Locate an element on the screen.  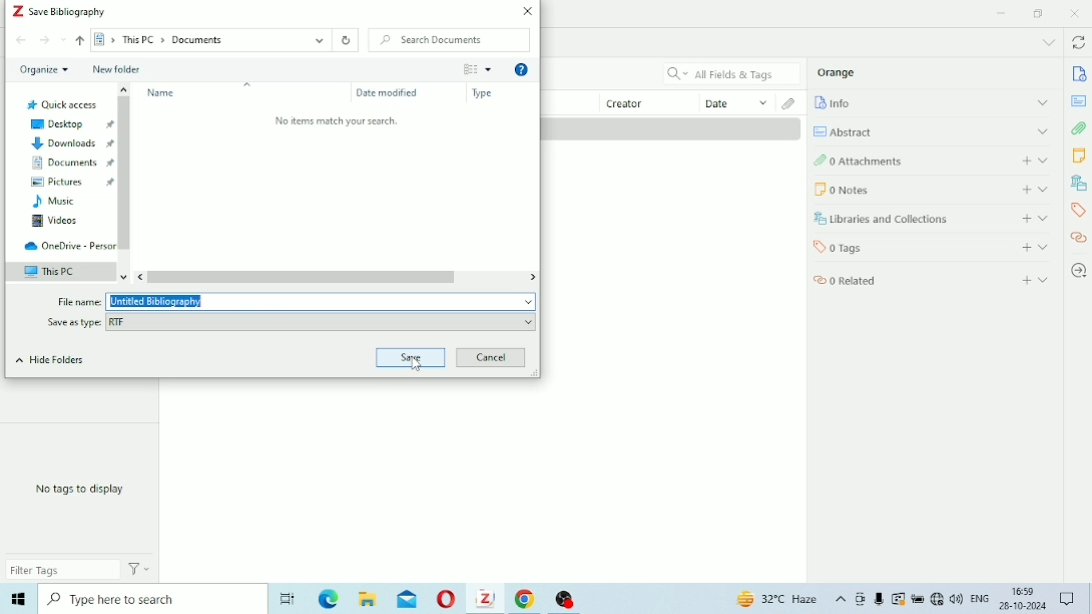
OneDrive-Personal is located at coordinates (68, 246).